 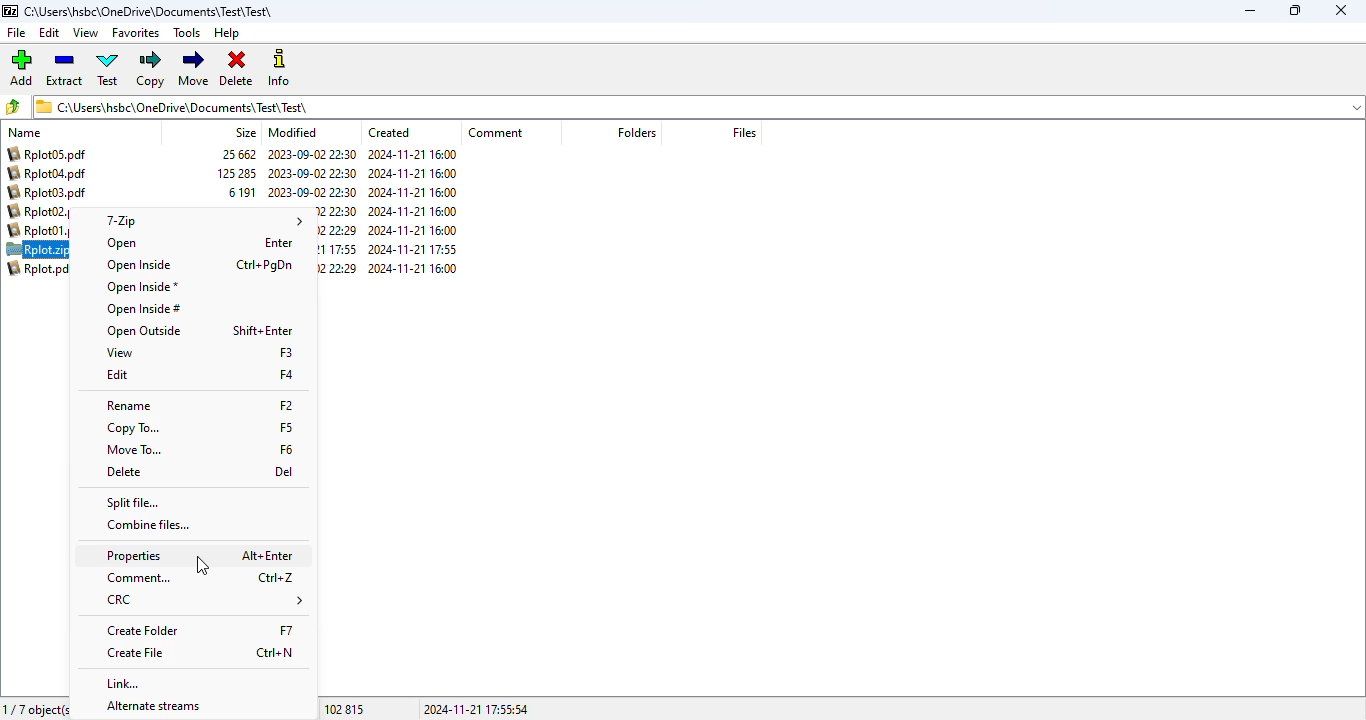 What do you see at coordinates (698, 106) in the screenshot?
I see `current folder` at bounding box center [698, 106].